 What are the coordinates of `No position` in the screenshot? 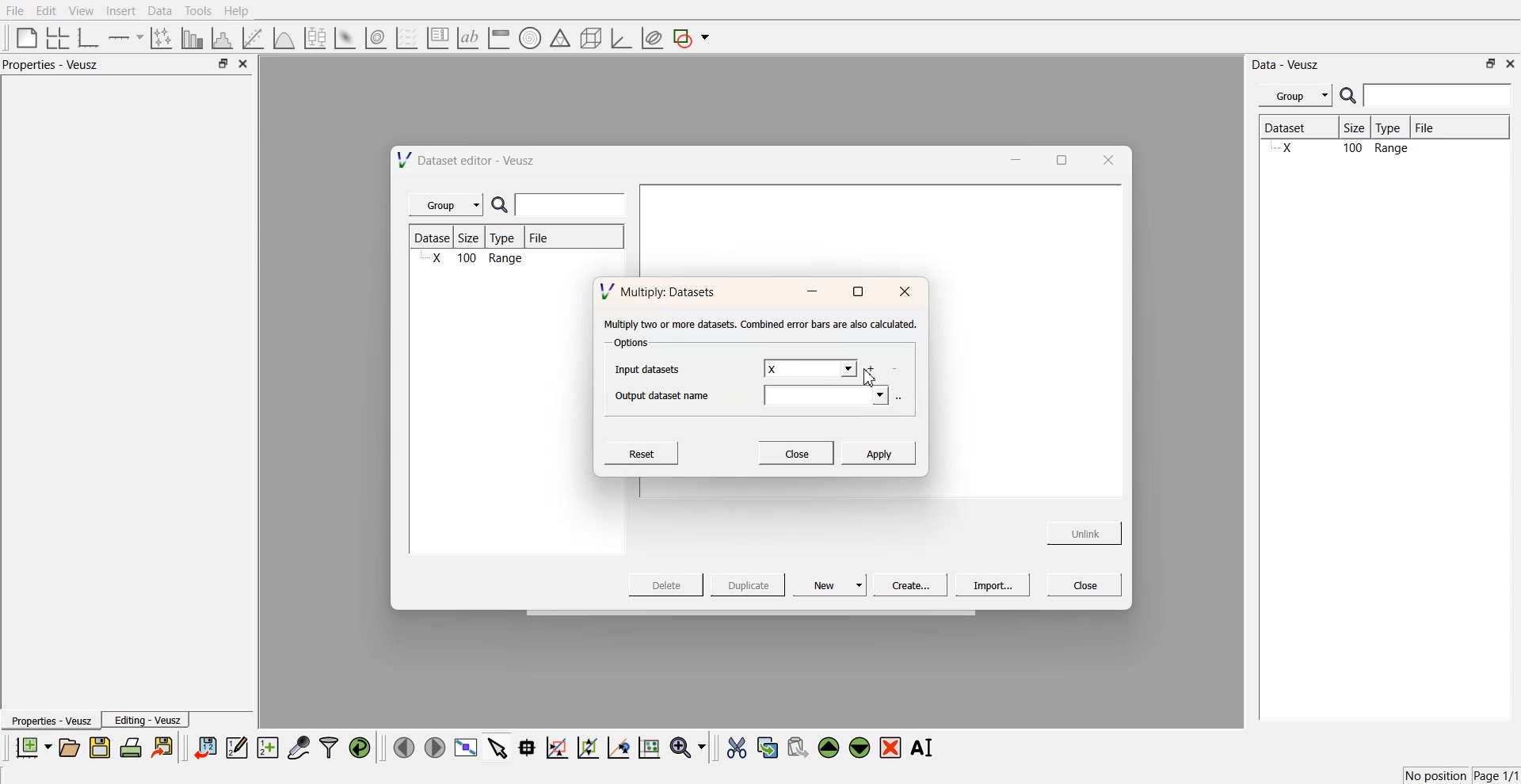 It's located at (1438, 774).